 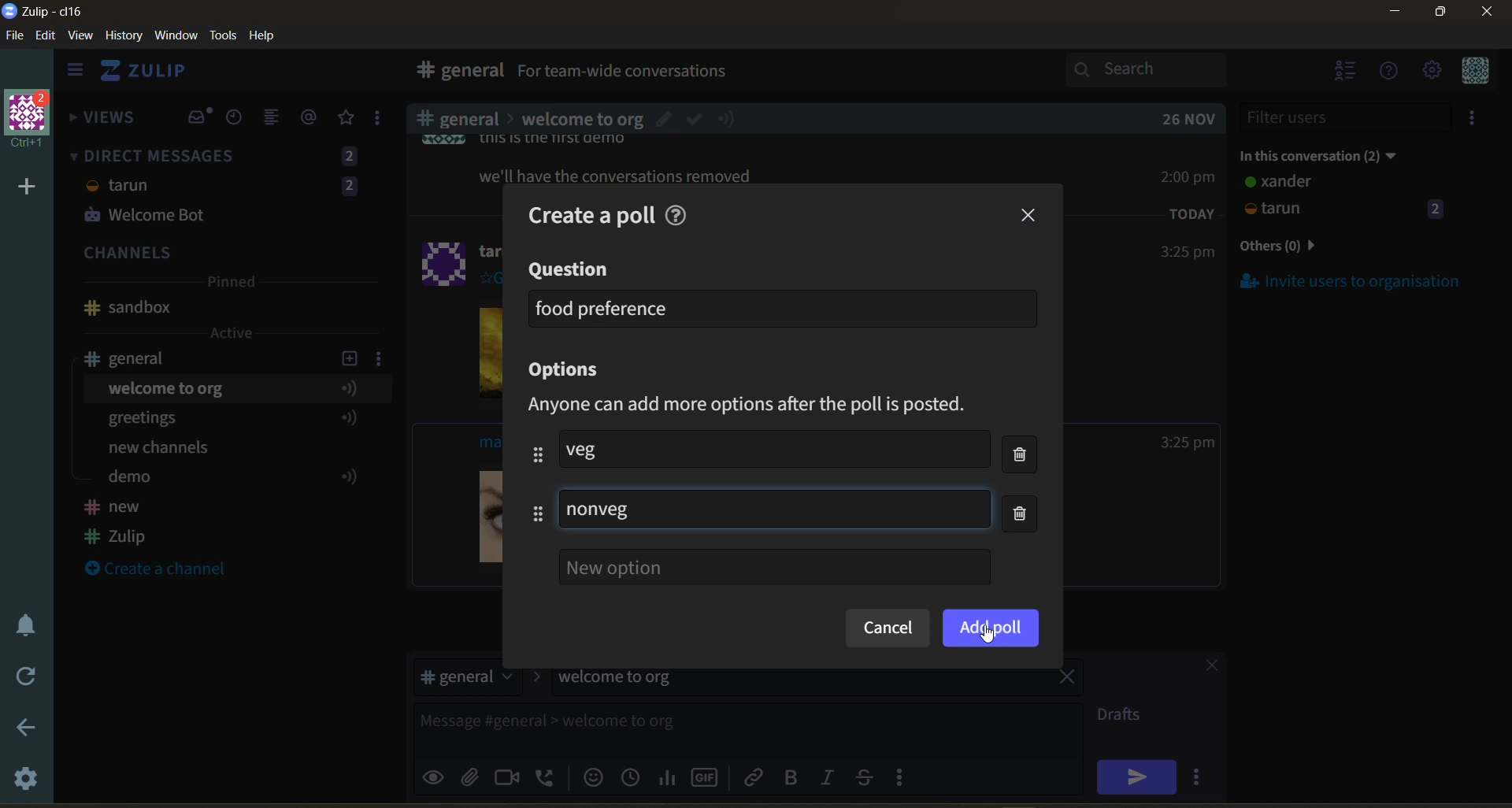 I want to click on Channel names, so click(x=118, y=524).